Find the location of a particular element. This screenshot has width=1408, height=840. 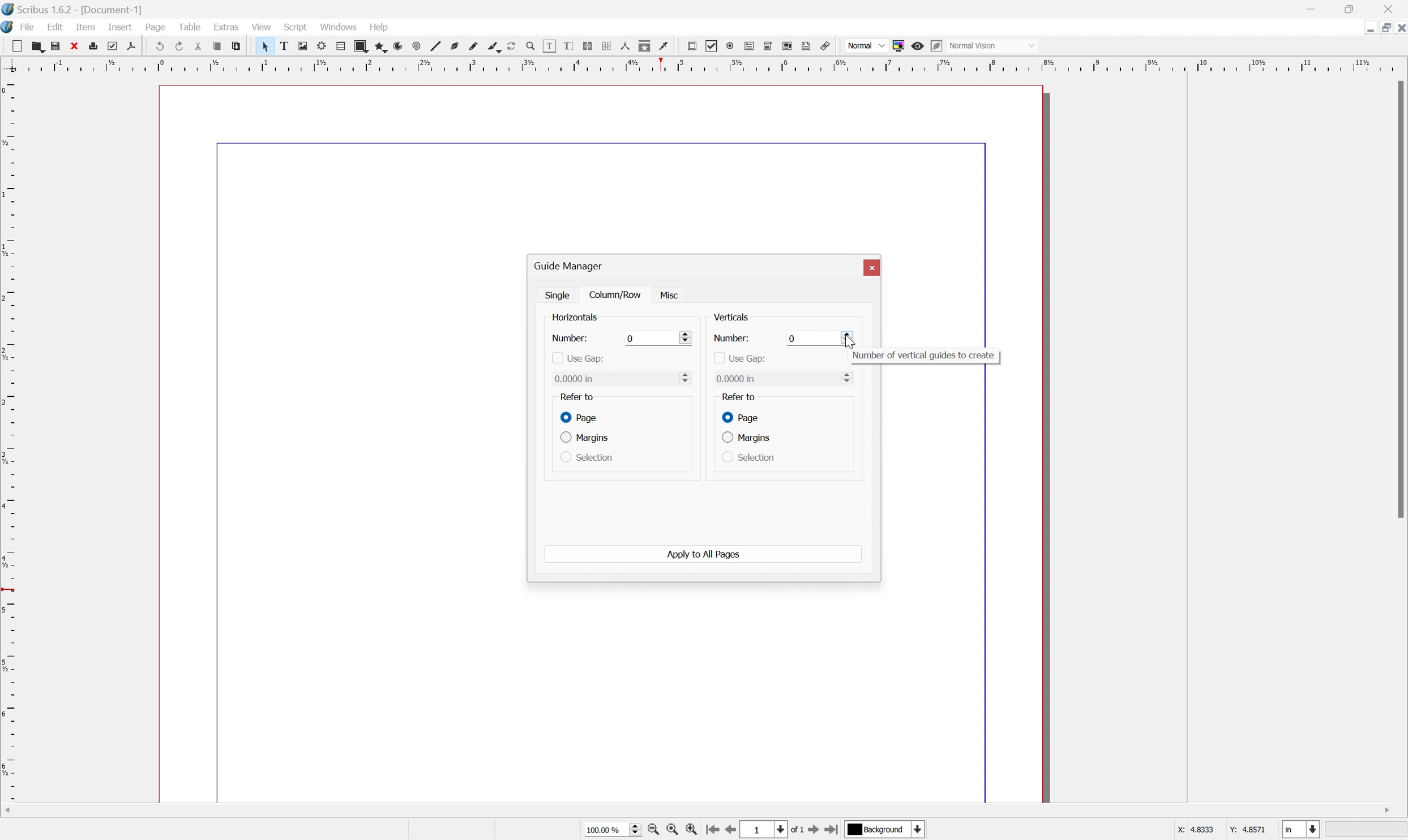

preview mode is located at coordinates (918, 46).